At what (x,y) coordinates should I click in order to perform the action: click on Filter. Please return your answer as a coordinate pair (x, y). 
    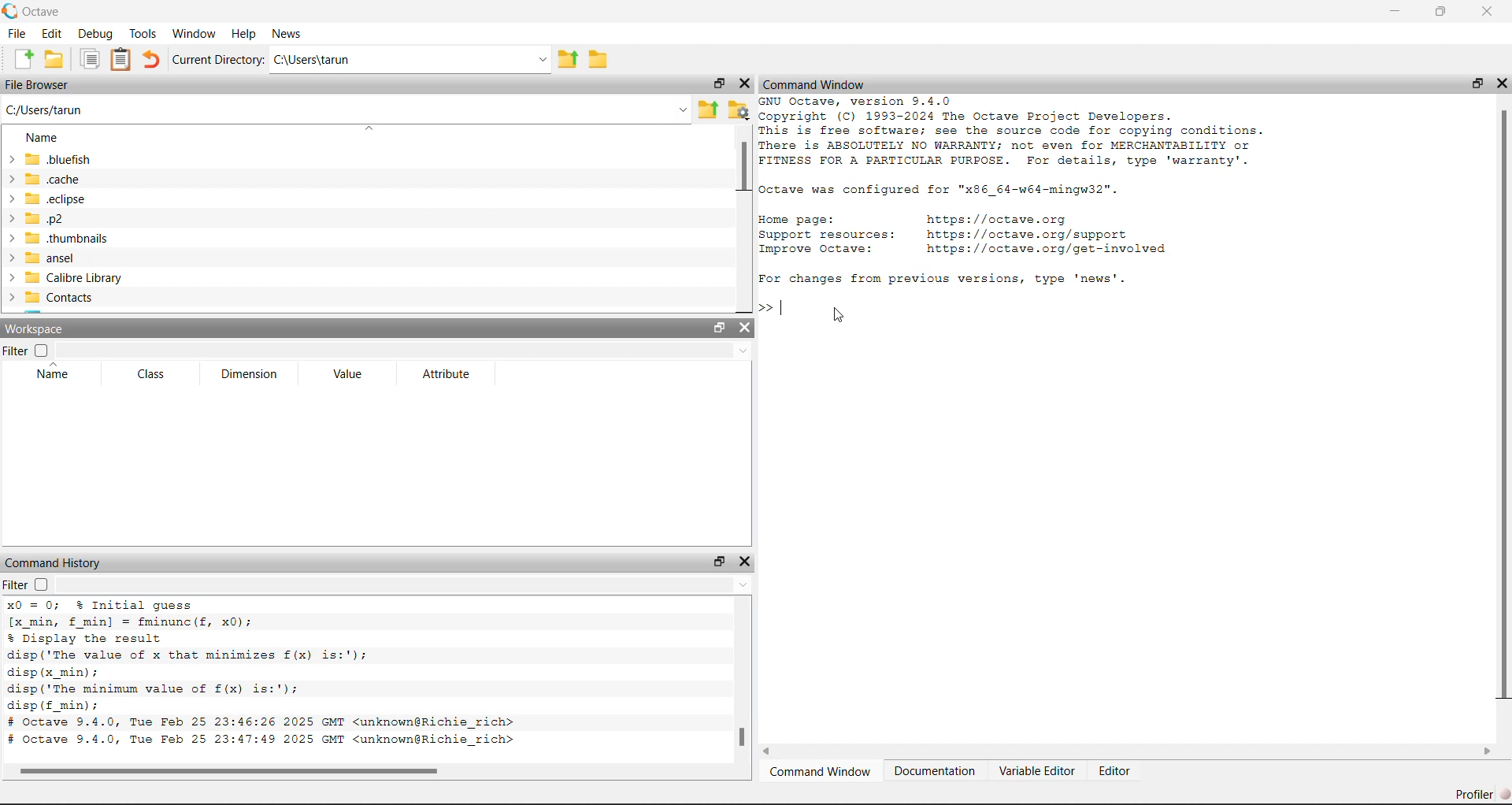
    Looking at the image, I should click on (31, 584).